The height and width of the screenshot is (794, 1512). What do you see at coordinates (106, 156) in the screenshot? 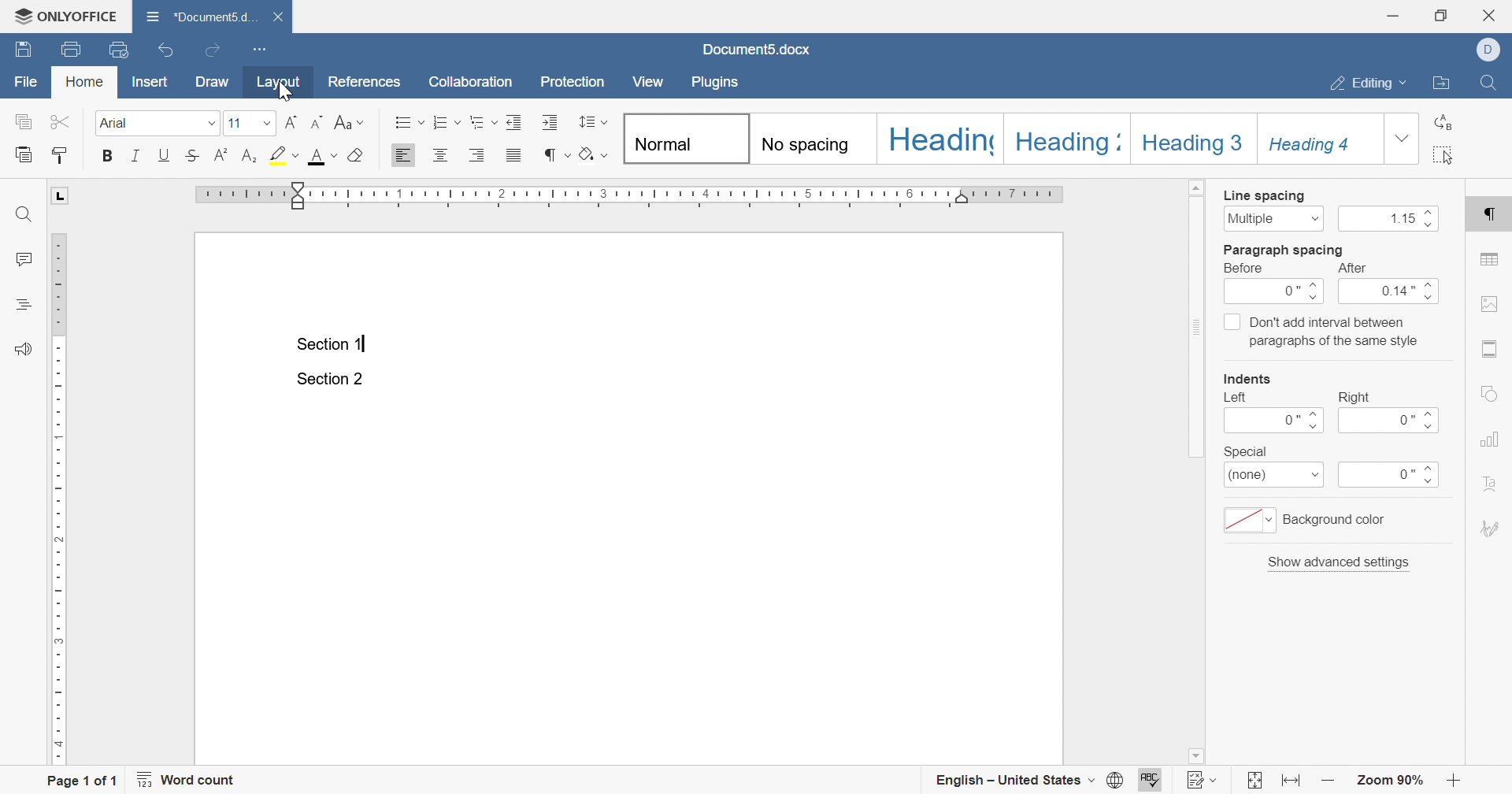
I see `bold` at bounding box center [106, 156].